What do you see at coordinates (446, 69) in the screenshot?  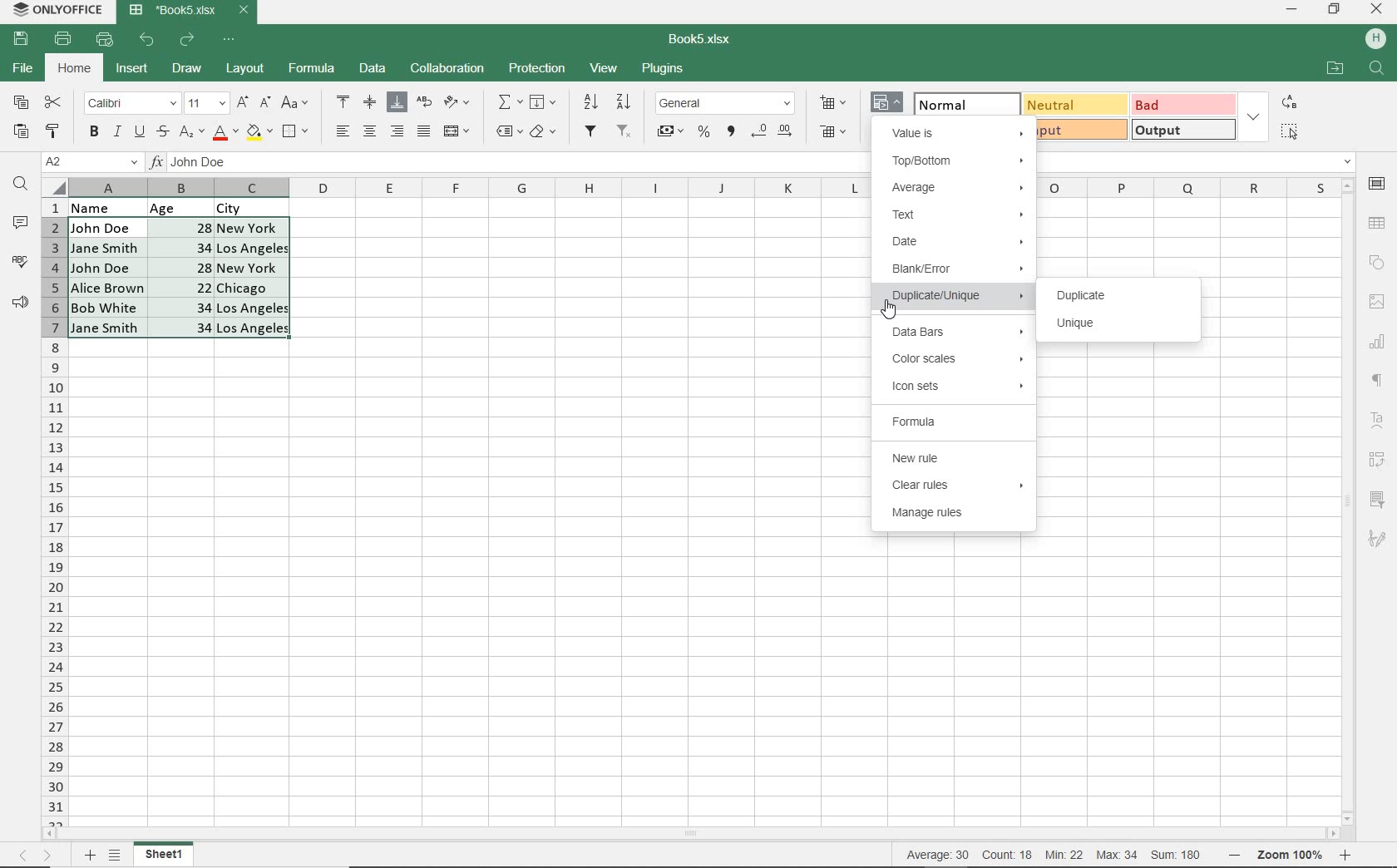 I see `COLLABORATION` at bounding box center [446, 69].